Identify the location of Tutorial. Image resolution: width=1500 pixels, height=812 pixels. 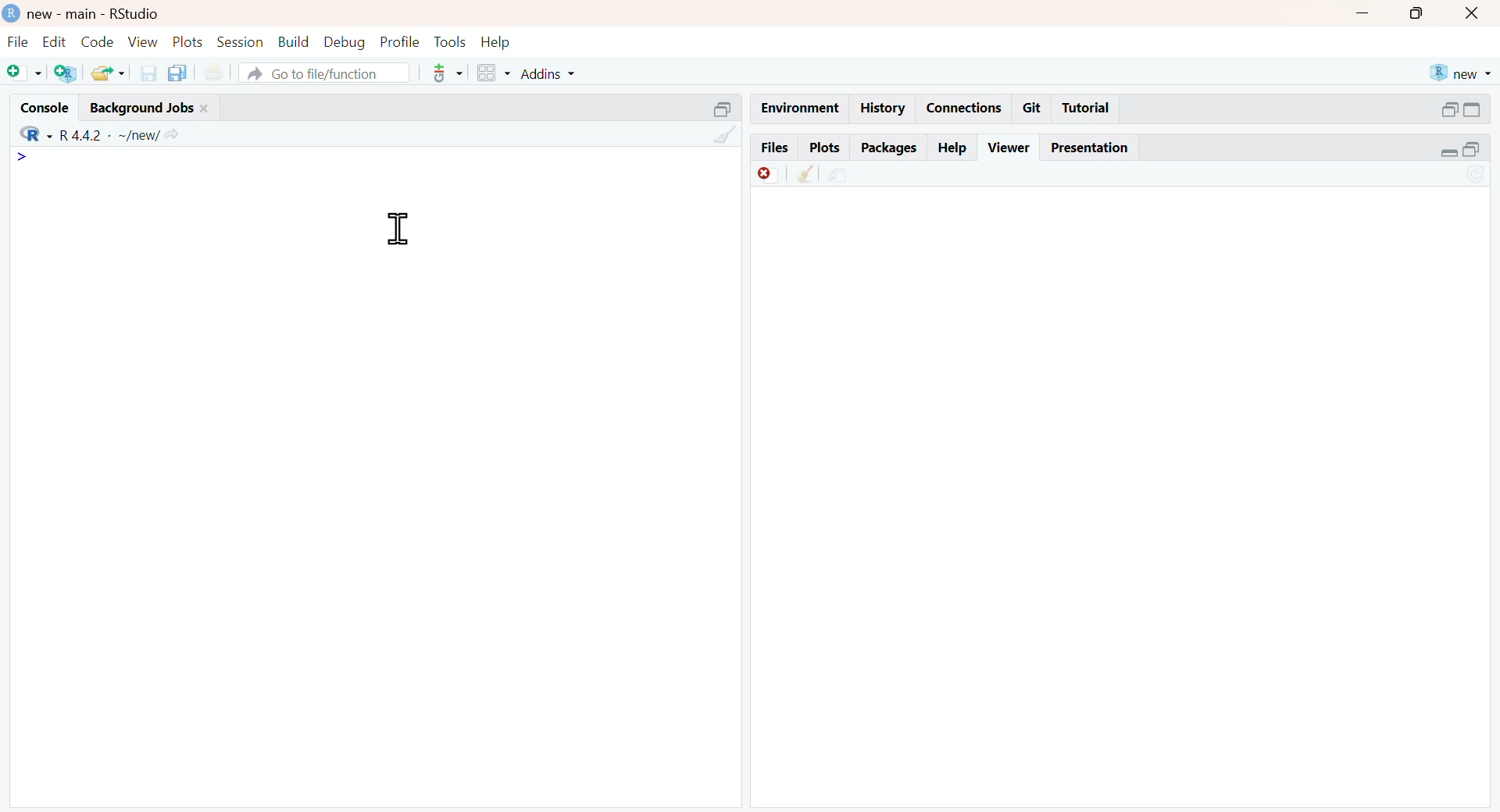
(1089, 109).